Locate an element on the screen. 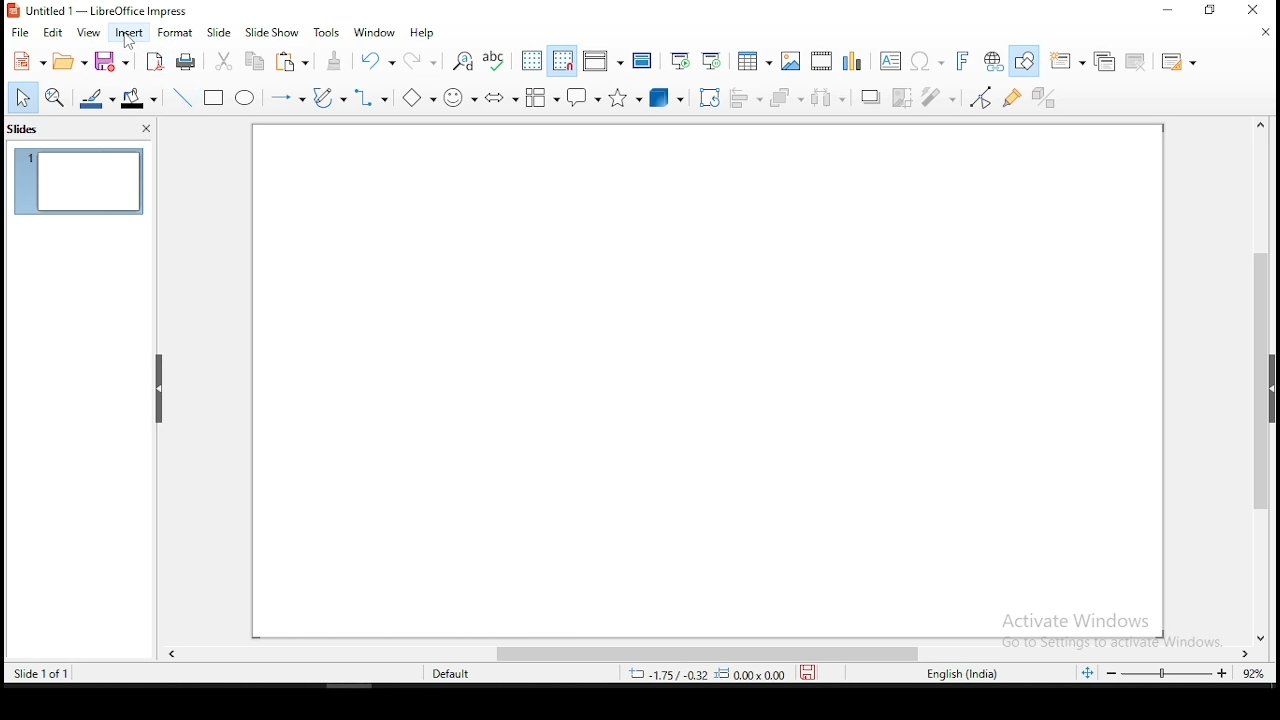 This screenshot has height=720, width=1280. scroll bar is located at coordinates (711, 653).